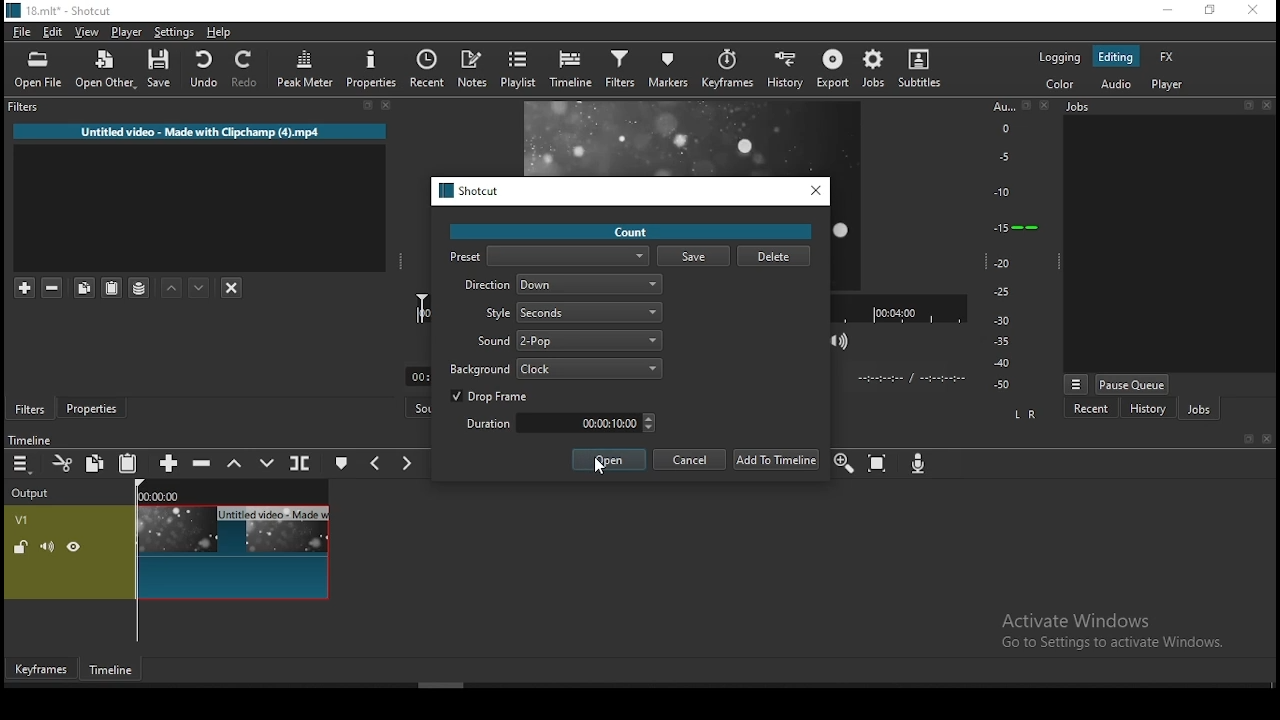 The image size is (1280, 720). Describe the element at coordinates (58, 10) in the screenshot. I see `18.mit* - Shotcut` at that location.